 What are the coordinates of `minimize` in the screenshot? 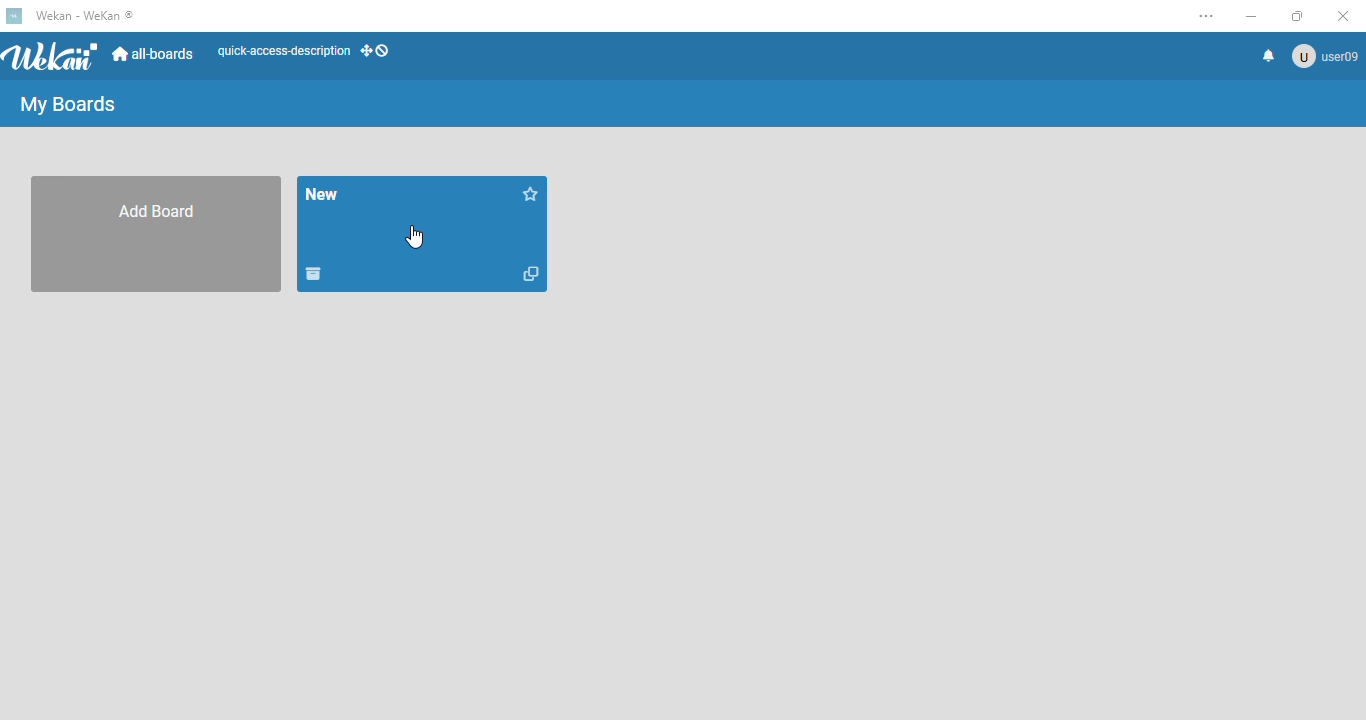 It's located at (1252, 16).